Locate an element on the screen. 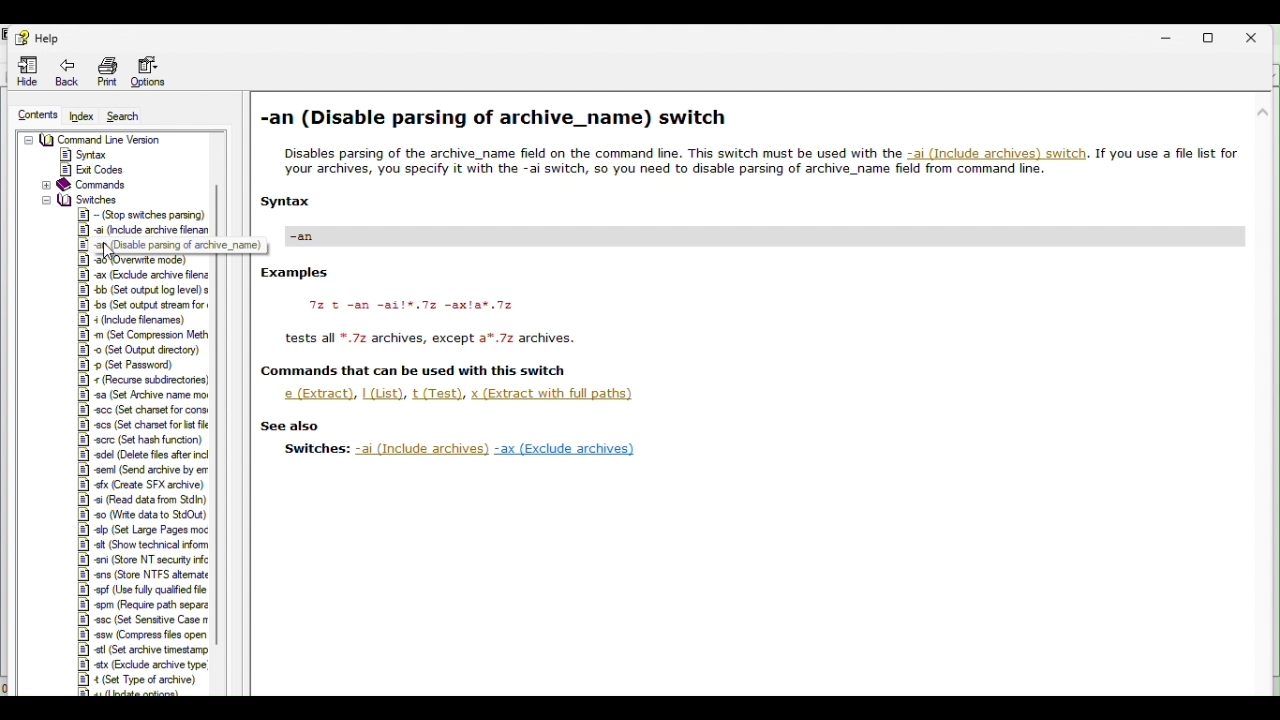 The image size is (1280, 720). (Extract), | (List), t (Test), x (Extract with full paths) is located at coordinates (465, 394).